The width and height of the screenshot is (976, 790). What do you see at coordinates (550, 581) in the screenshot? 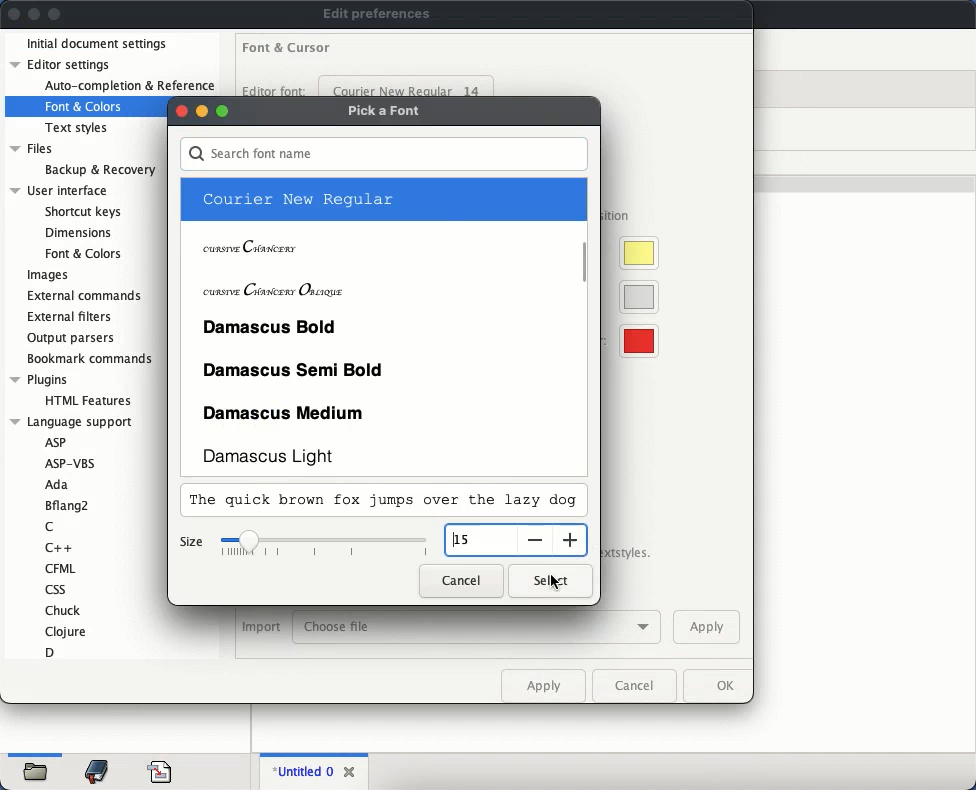
I see `select` at bounding box center [550, 581].